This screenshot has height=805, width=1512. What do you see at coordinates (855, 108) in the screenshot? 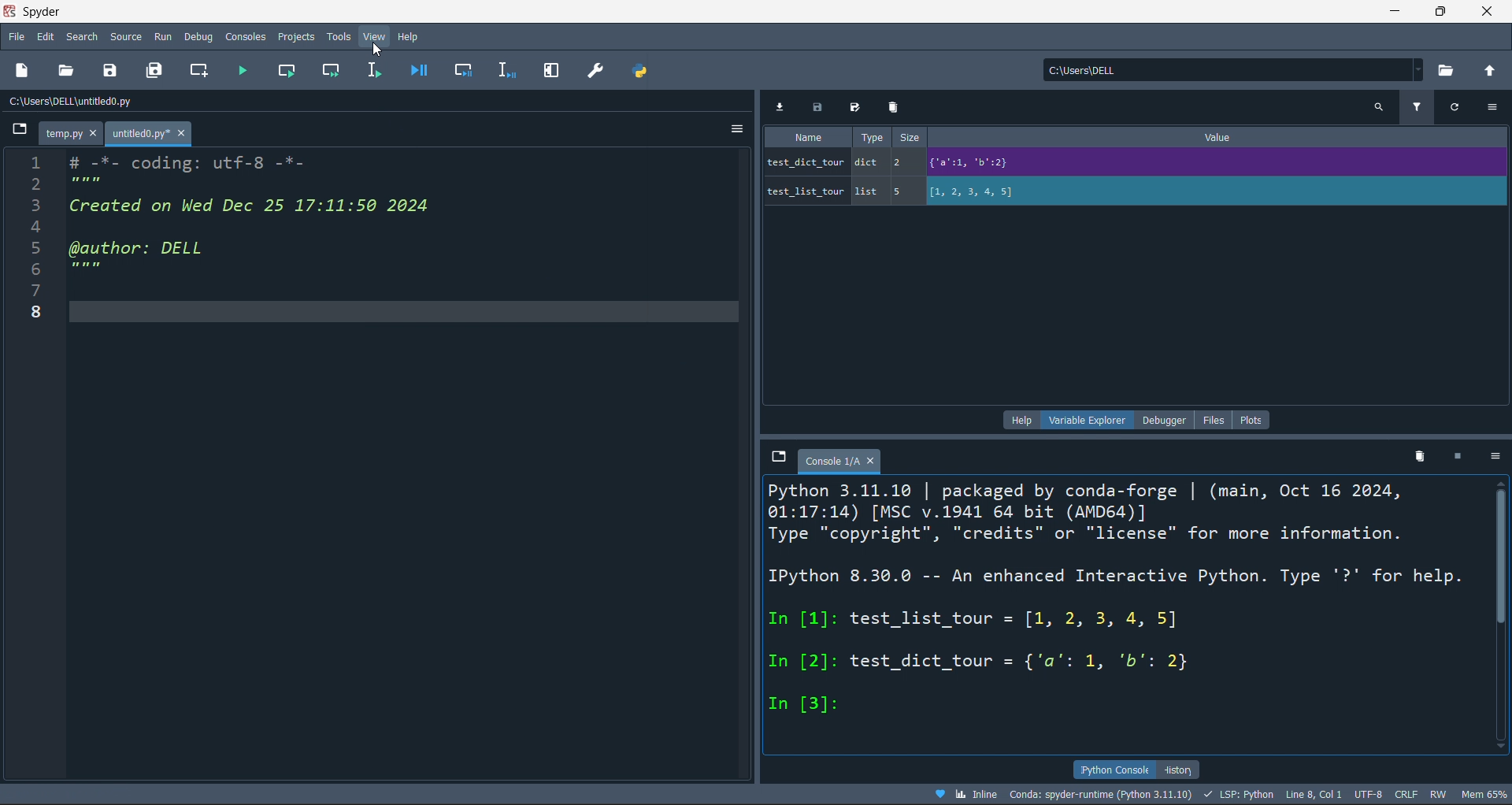
I see `save all` at bounding box center [855, 108].